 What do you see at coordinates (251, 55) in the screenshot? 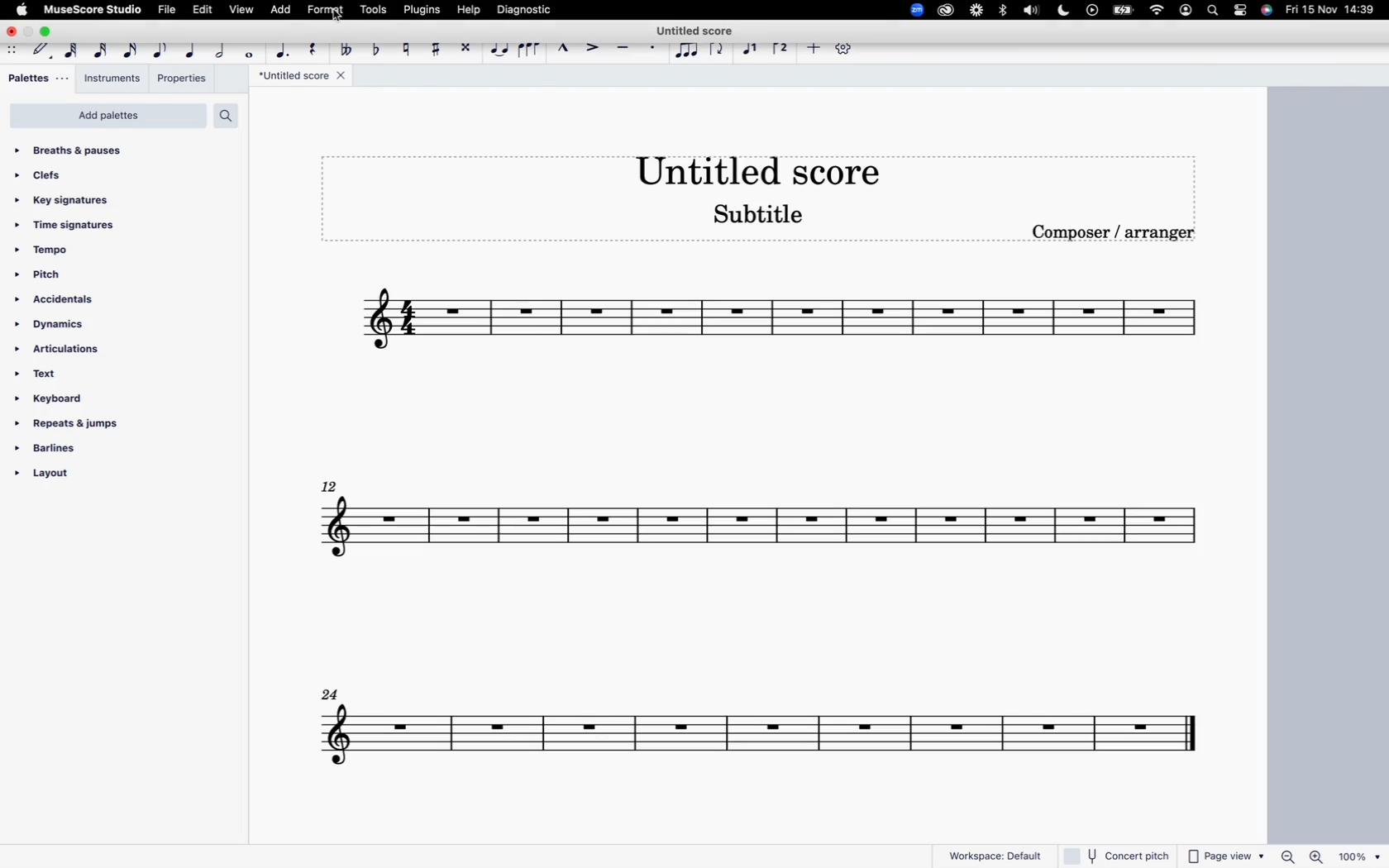
I see `full note` at bounding box center [251, 55].